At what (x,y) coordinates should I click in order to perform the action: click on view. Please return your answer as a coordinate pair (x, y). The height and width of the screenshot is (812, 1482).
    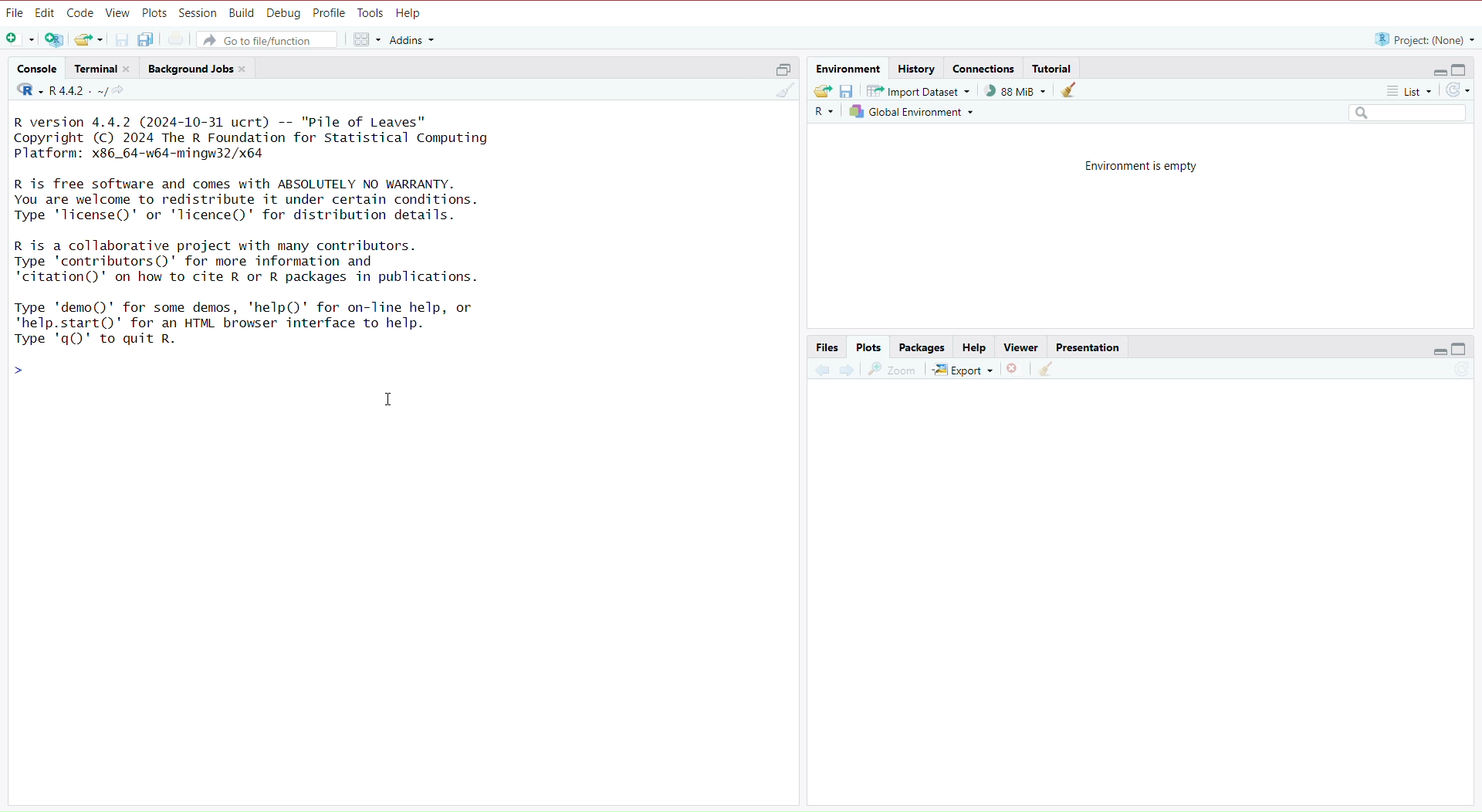
    Looking at the image, I should click on (1020, 347).